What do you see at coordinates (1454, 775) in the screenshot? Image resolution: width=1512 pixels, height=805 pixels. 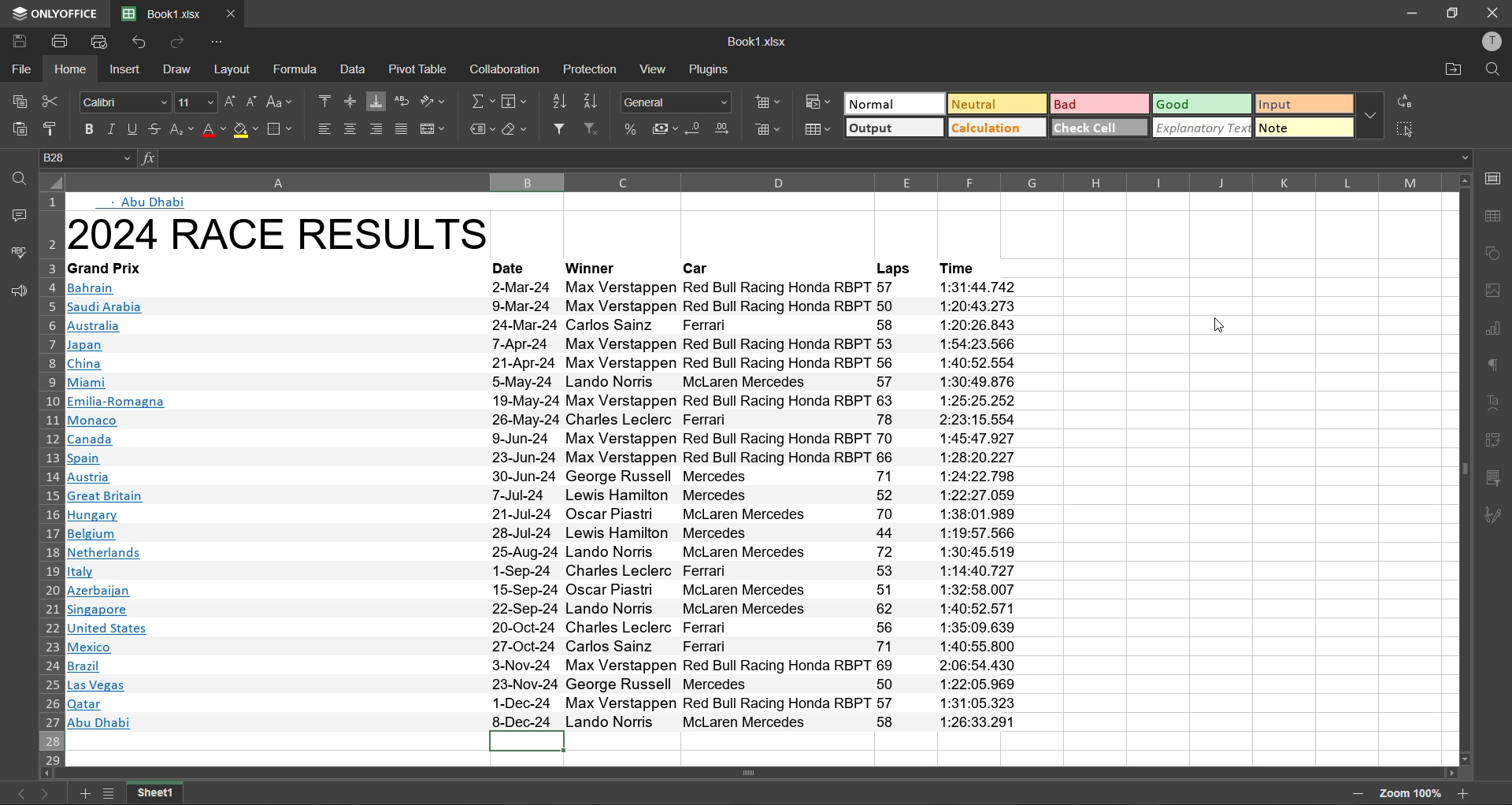 I see `move right` at bounding box center [1454, 775].